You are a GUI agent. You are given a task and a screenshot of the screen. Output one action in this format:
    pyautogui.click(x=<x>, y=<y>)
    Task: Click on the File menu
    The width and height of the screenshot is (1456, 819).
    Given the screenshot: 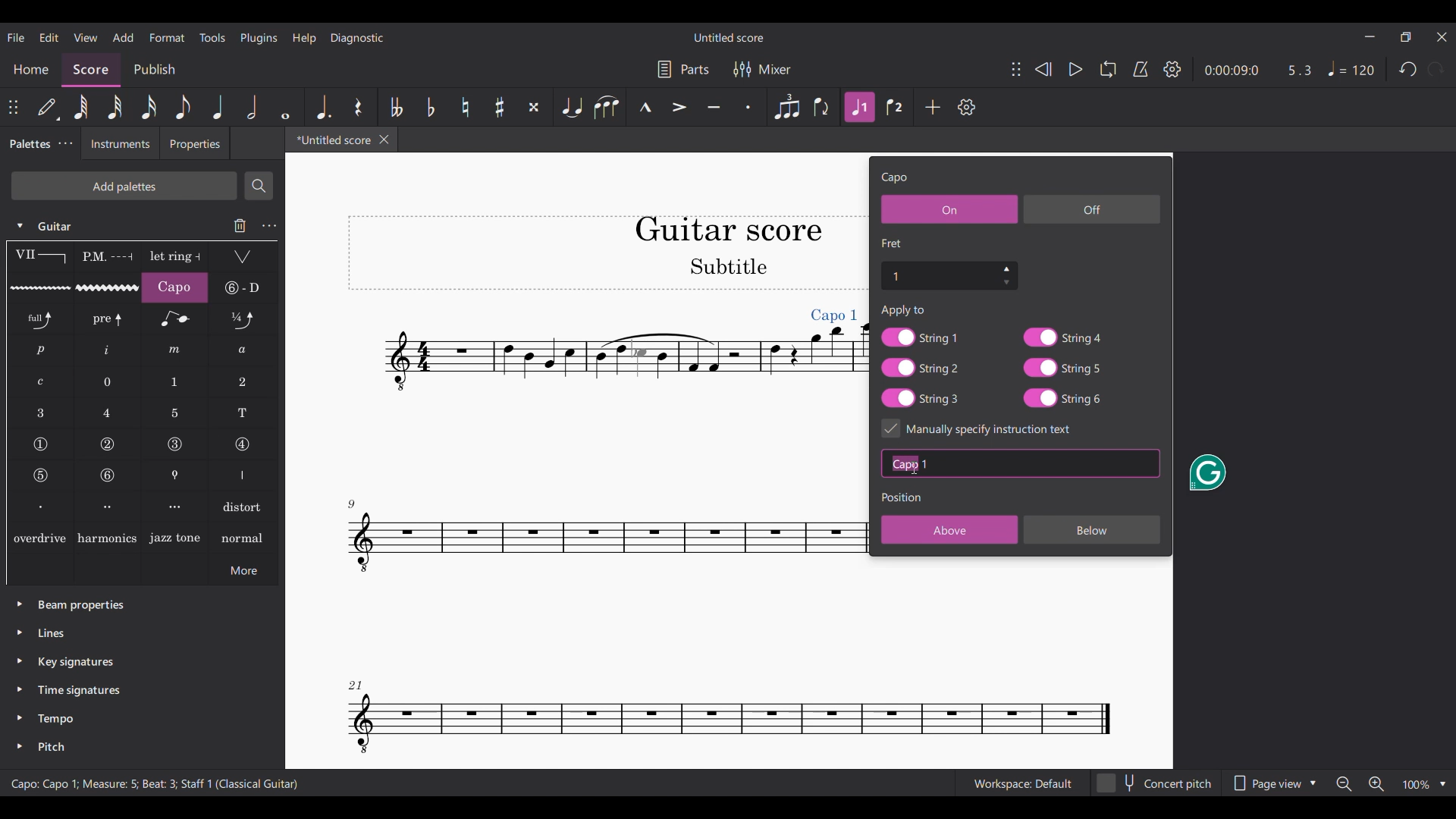 What is the action you would take?
    pyautogui.click(x=17, y=37)
    